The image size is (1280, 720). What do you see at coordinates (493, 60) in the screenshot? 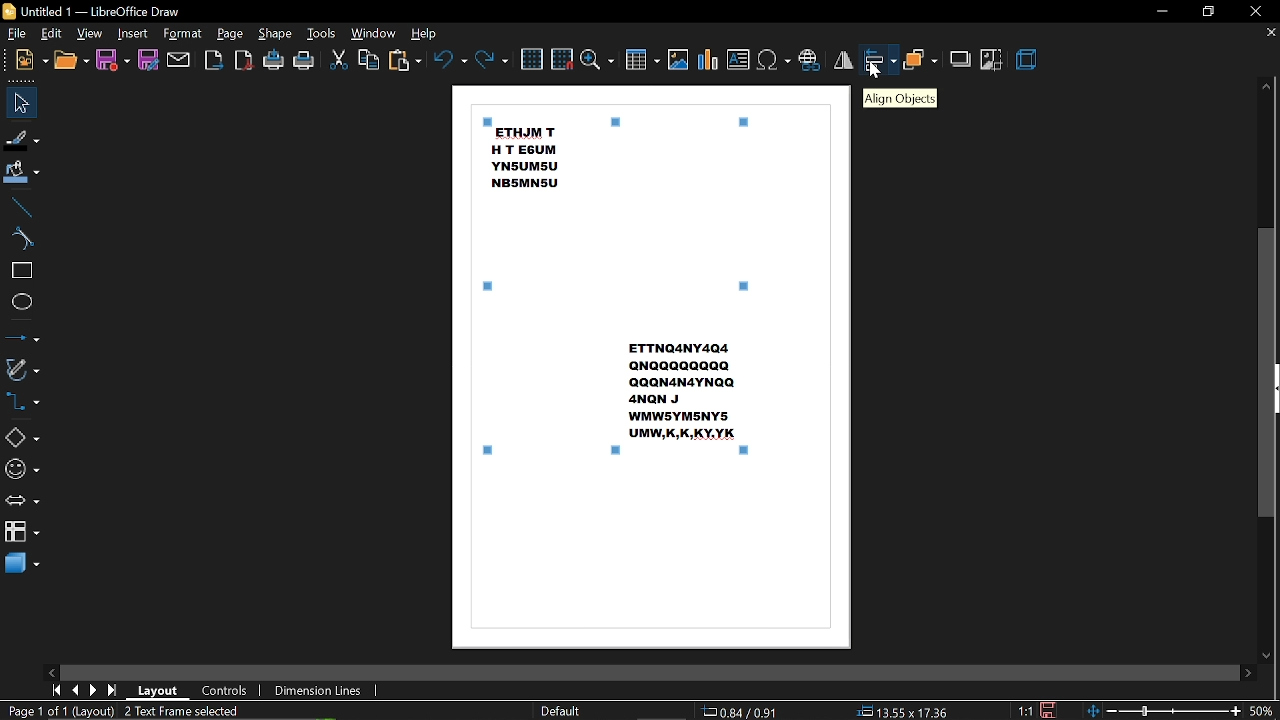
I see `redo` at bounding box center [493, 60].